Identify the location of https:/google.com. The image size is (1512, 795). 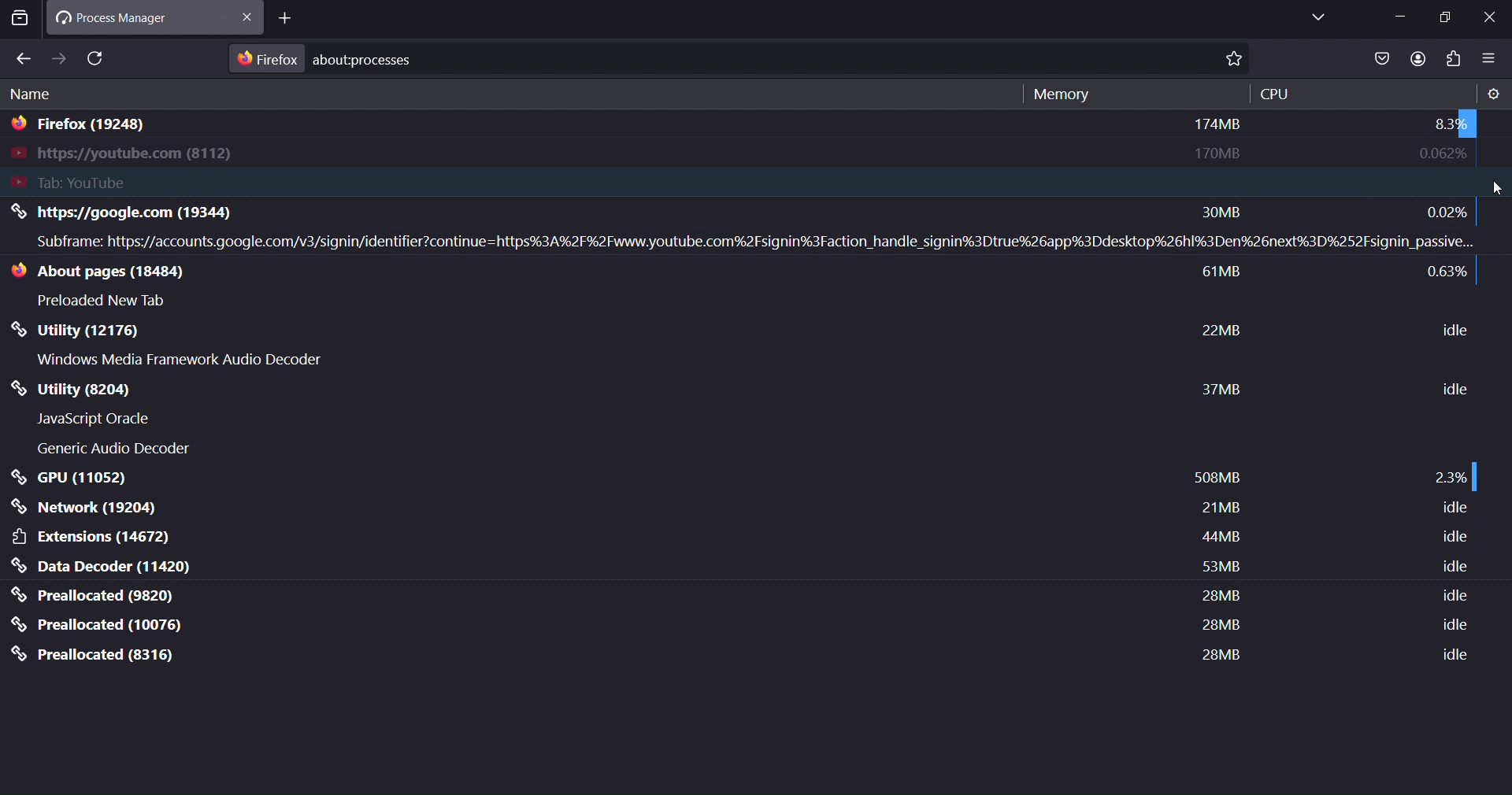
(161, 213).